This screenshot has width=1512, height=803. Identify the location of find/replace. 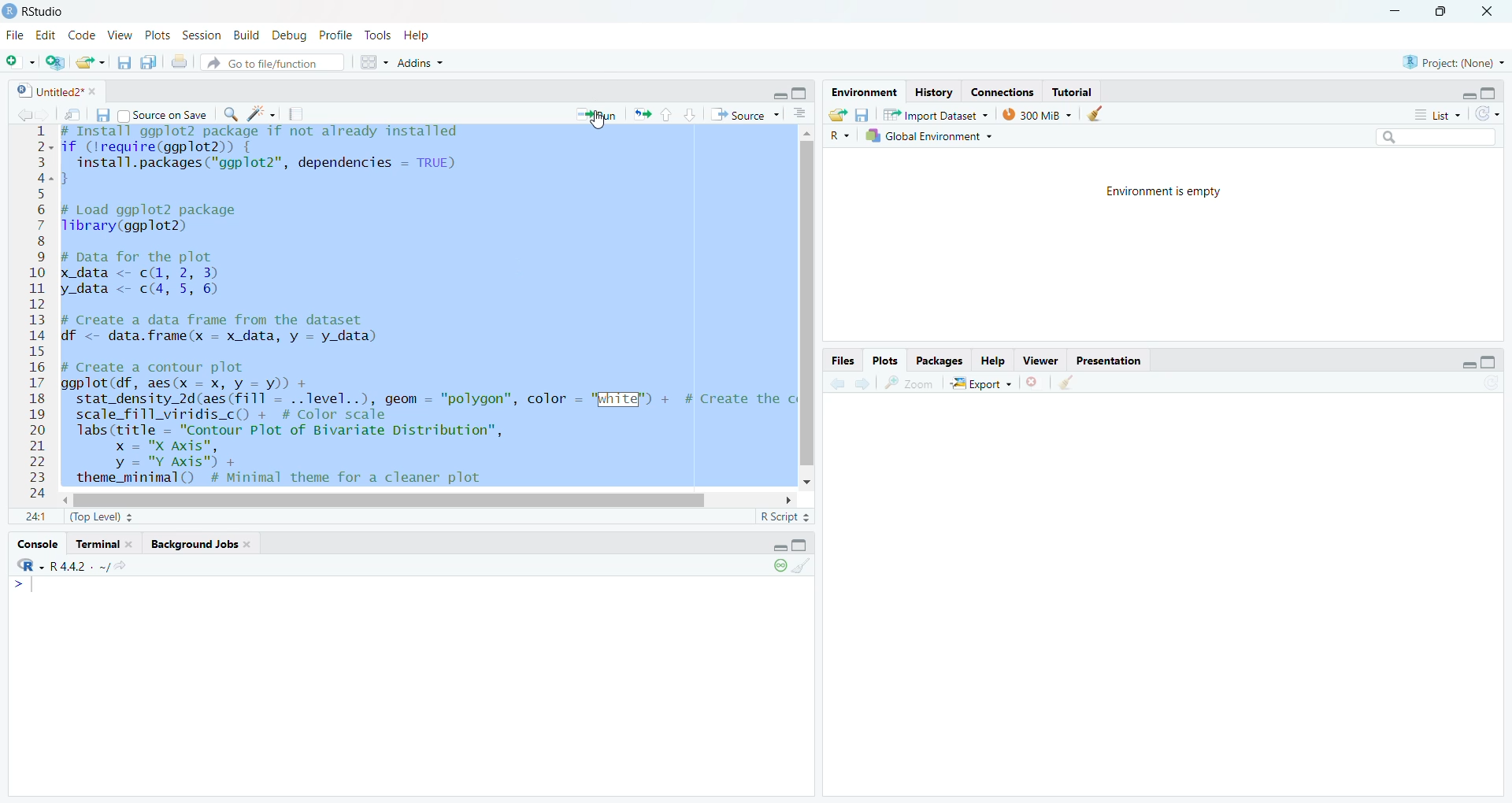
(228, 115).